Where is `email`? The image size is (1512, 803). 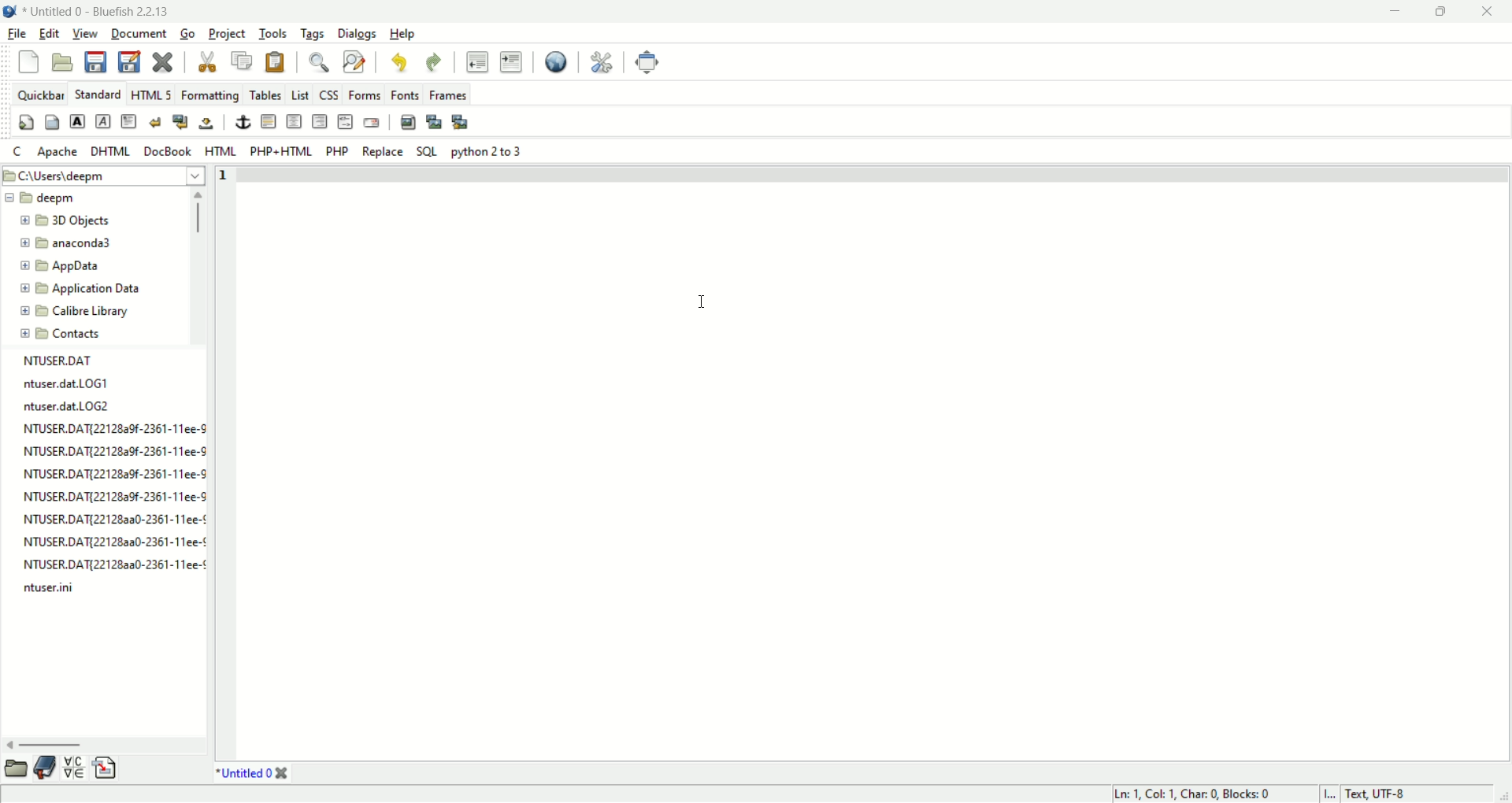
email is located at coordinates (371, 124).